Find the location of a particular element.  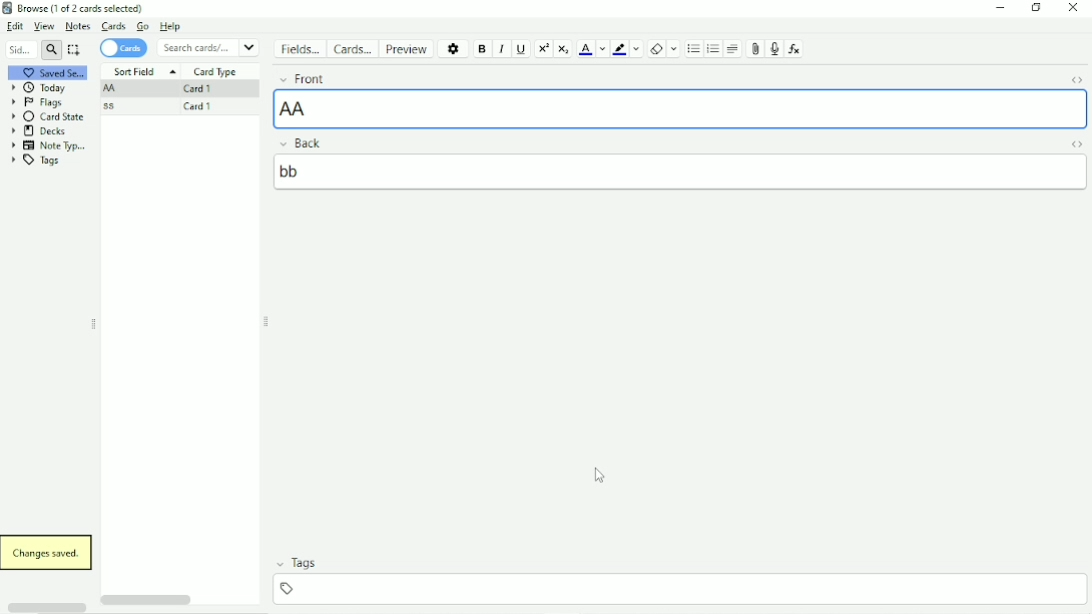

Note Type is located at coordinates (49, 146).